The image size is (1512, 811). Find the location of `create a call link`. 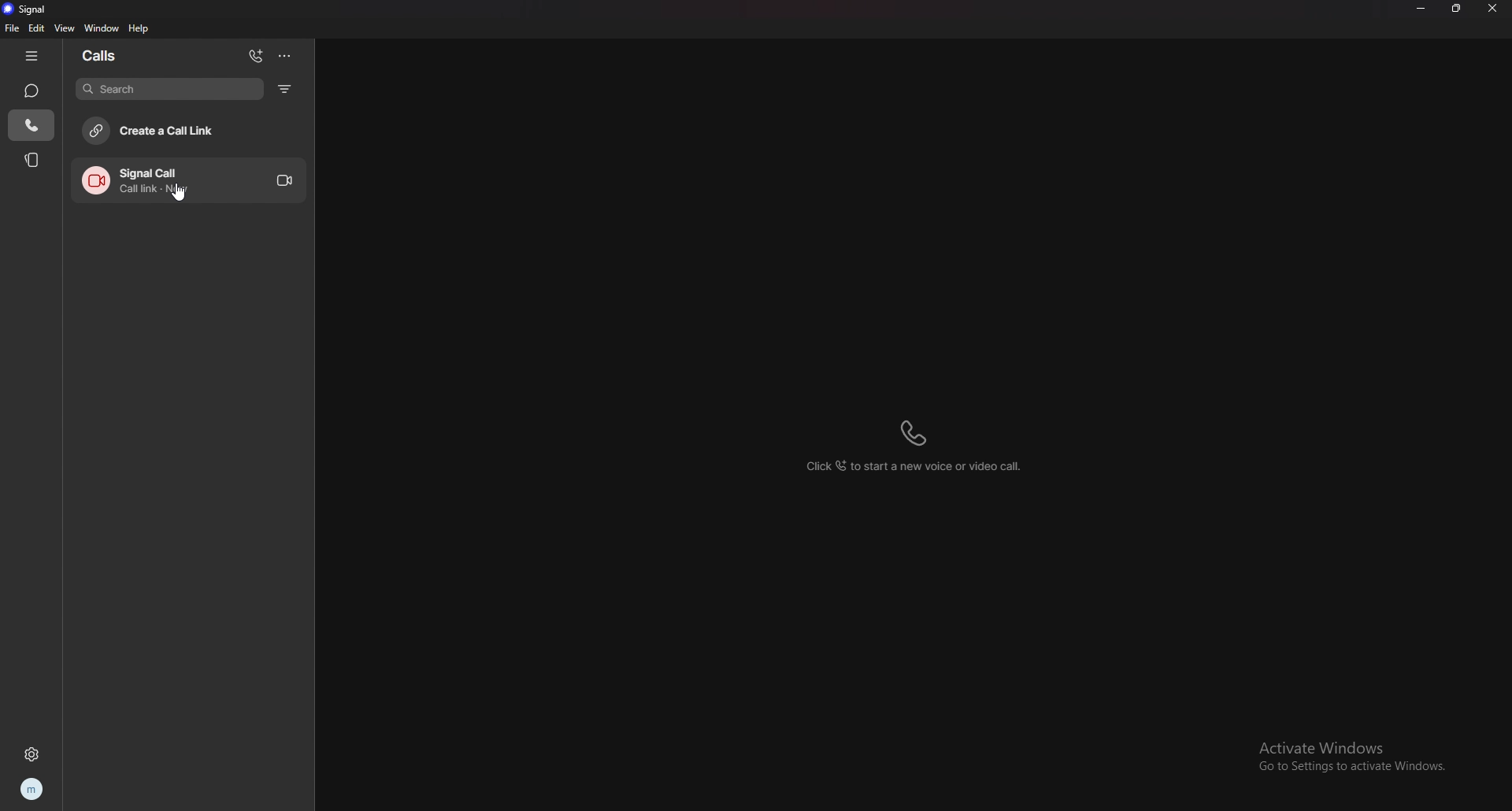

create a call link is located at coordinates (186, 131).